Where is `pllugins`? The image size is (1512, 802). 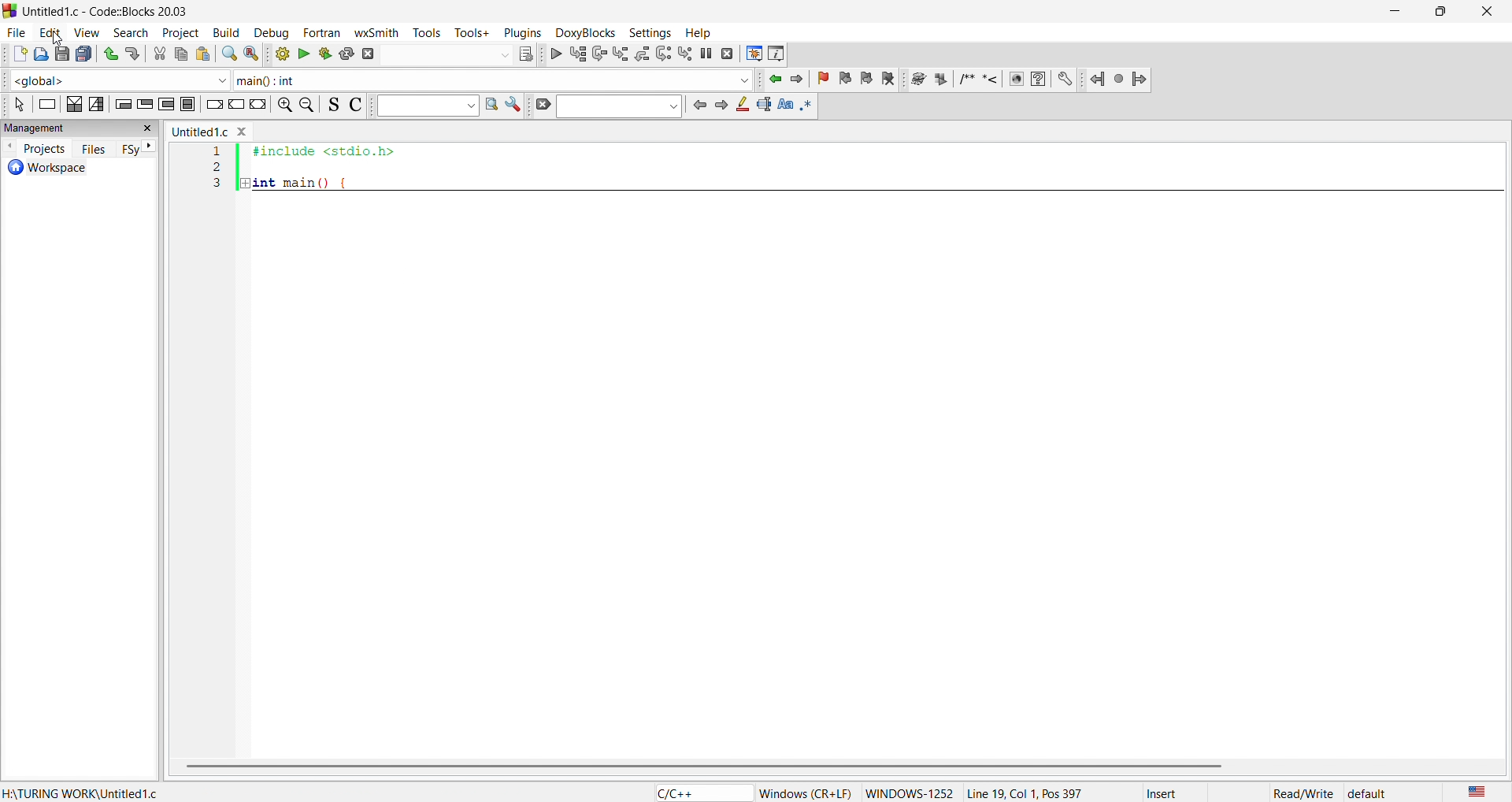 pllugins is located at coordinates (520, 31).